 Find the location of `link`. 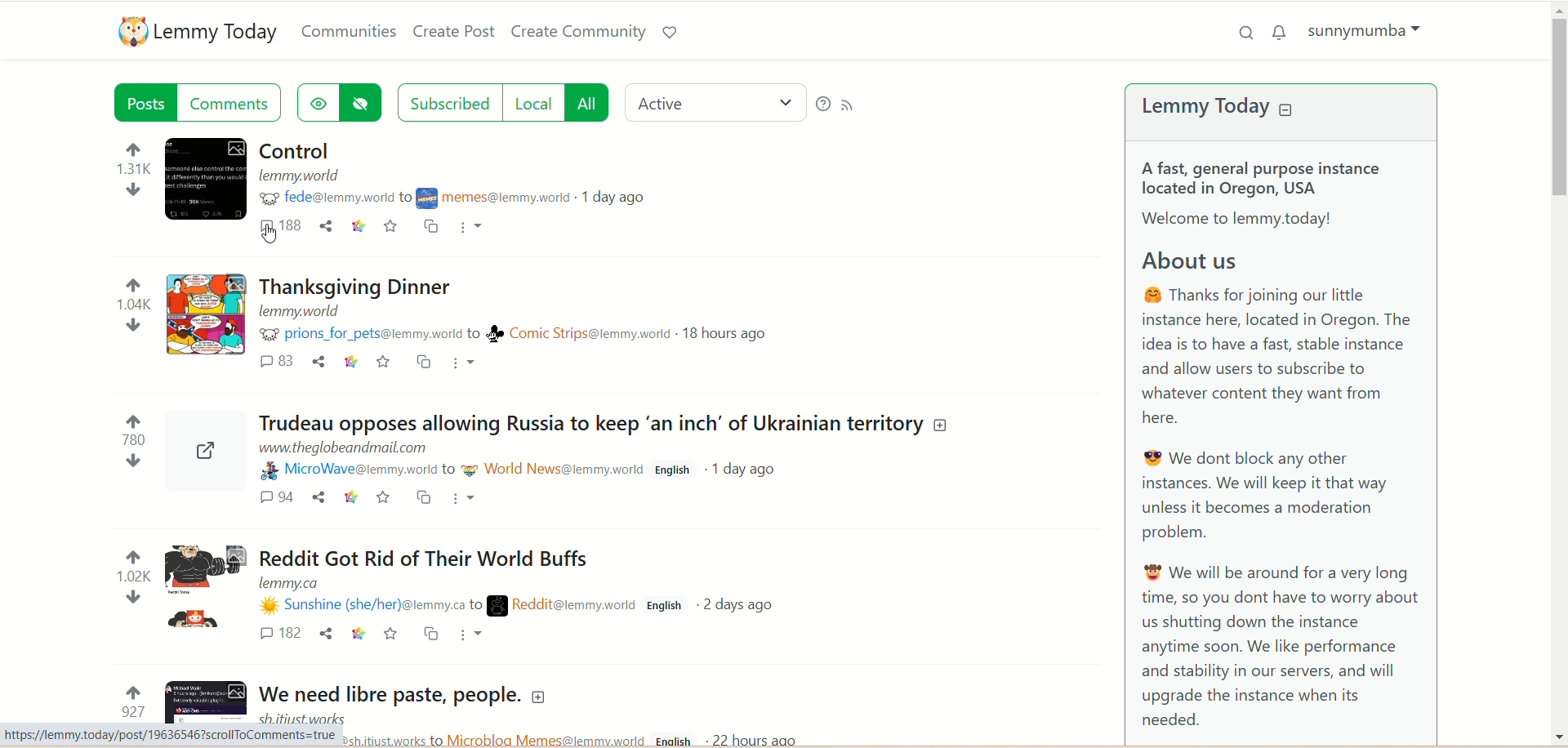

link is located at coordinates (351, 498).